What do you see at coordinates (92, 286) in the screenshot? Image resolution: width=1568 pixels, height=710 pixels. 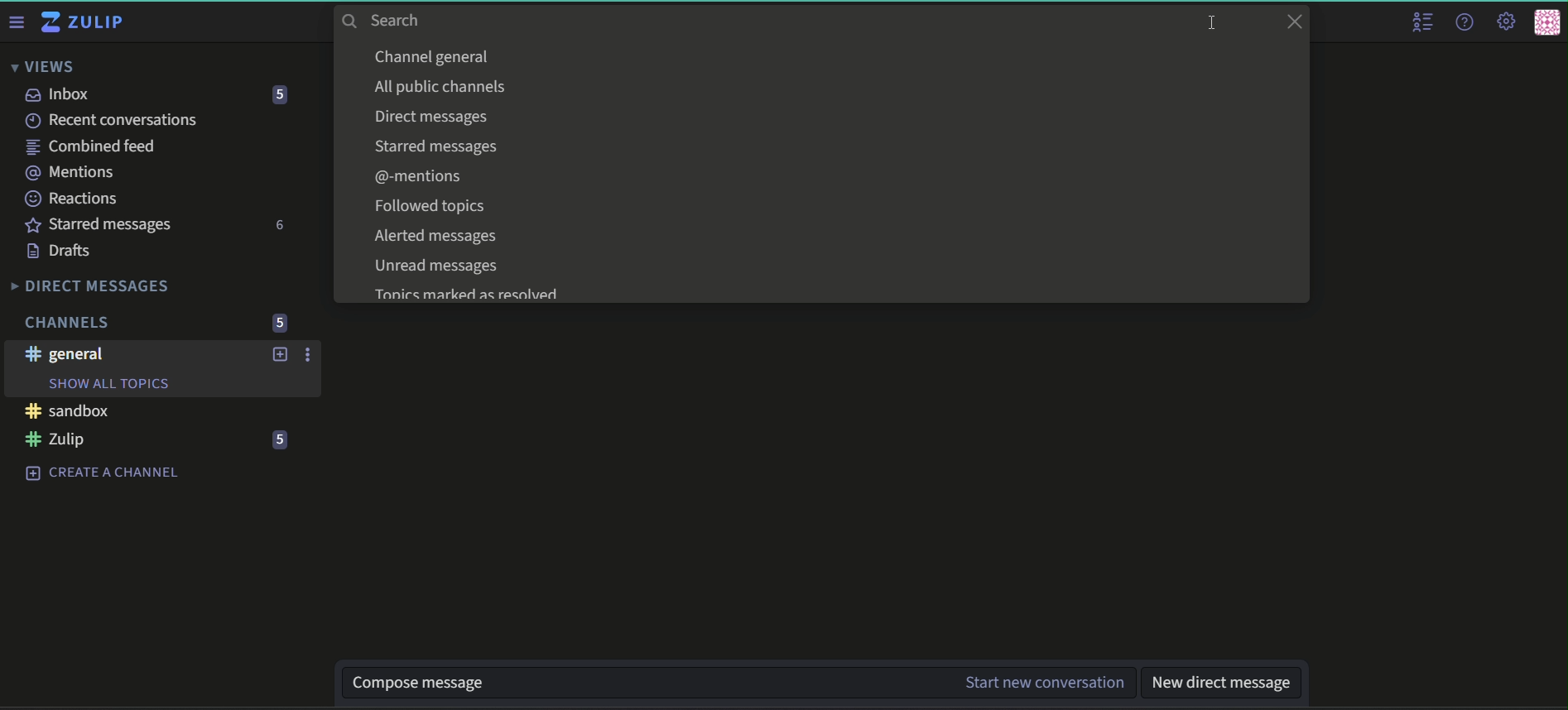 I see `Direct Messages` at bounding box center [92, 286].